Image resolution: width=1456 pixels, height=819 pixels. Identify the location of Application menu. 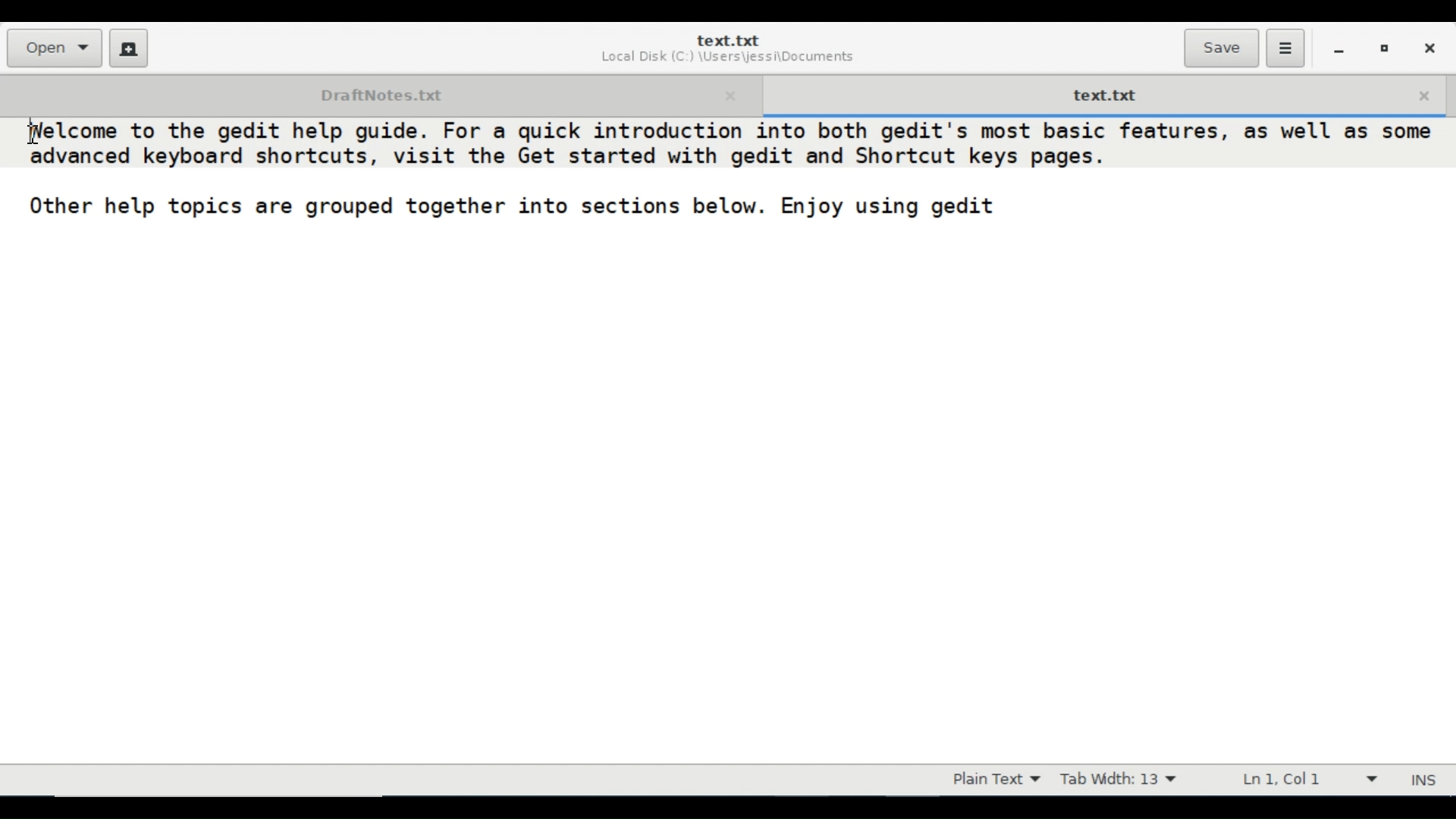
(1285, 49).